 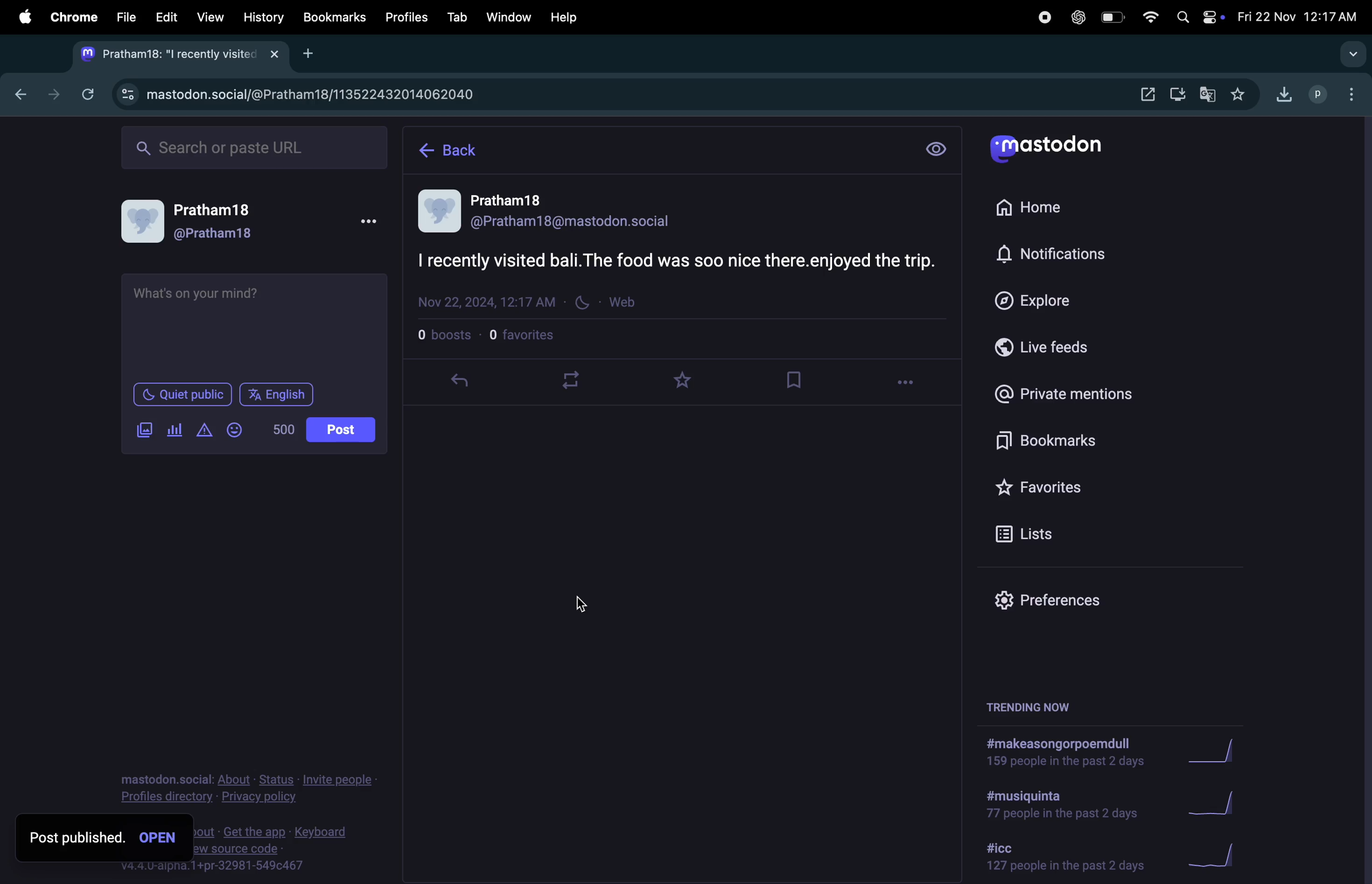 I want to click on post, so click(x=686, y=247).